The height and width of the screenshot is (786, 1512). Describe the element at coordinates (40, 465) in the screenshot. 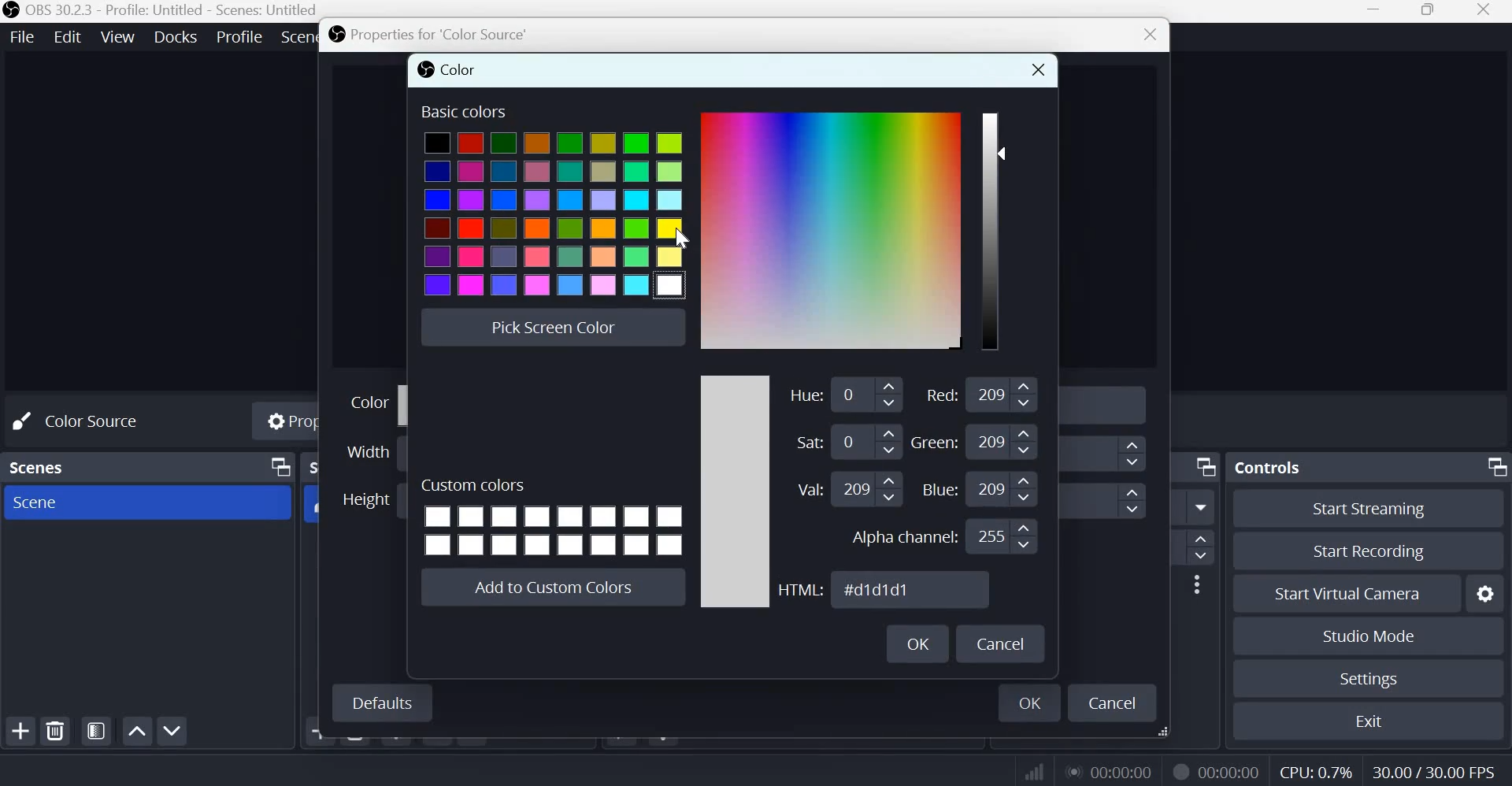

I see `scenes` at that location.